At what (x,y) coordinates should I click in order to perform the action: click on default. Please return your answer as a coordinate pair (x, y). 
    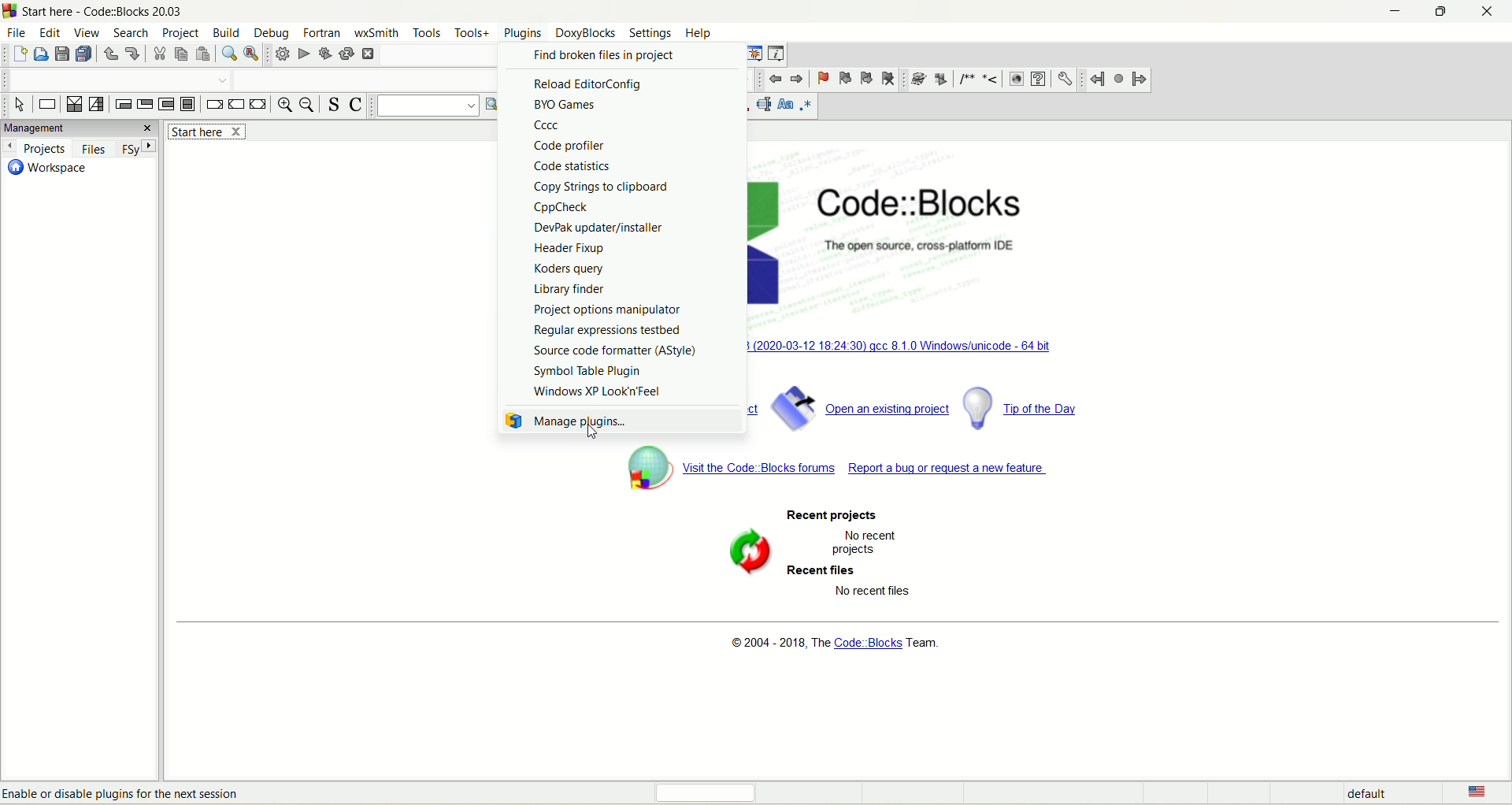
    Looking at the image, I should click on (1366, 793).